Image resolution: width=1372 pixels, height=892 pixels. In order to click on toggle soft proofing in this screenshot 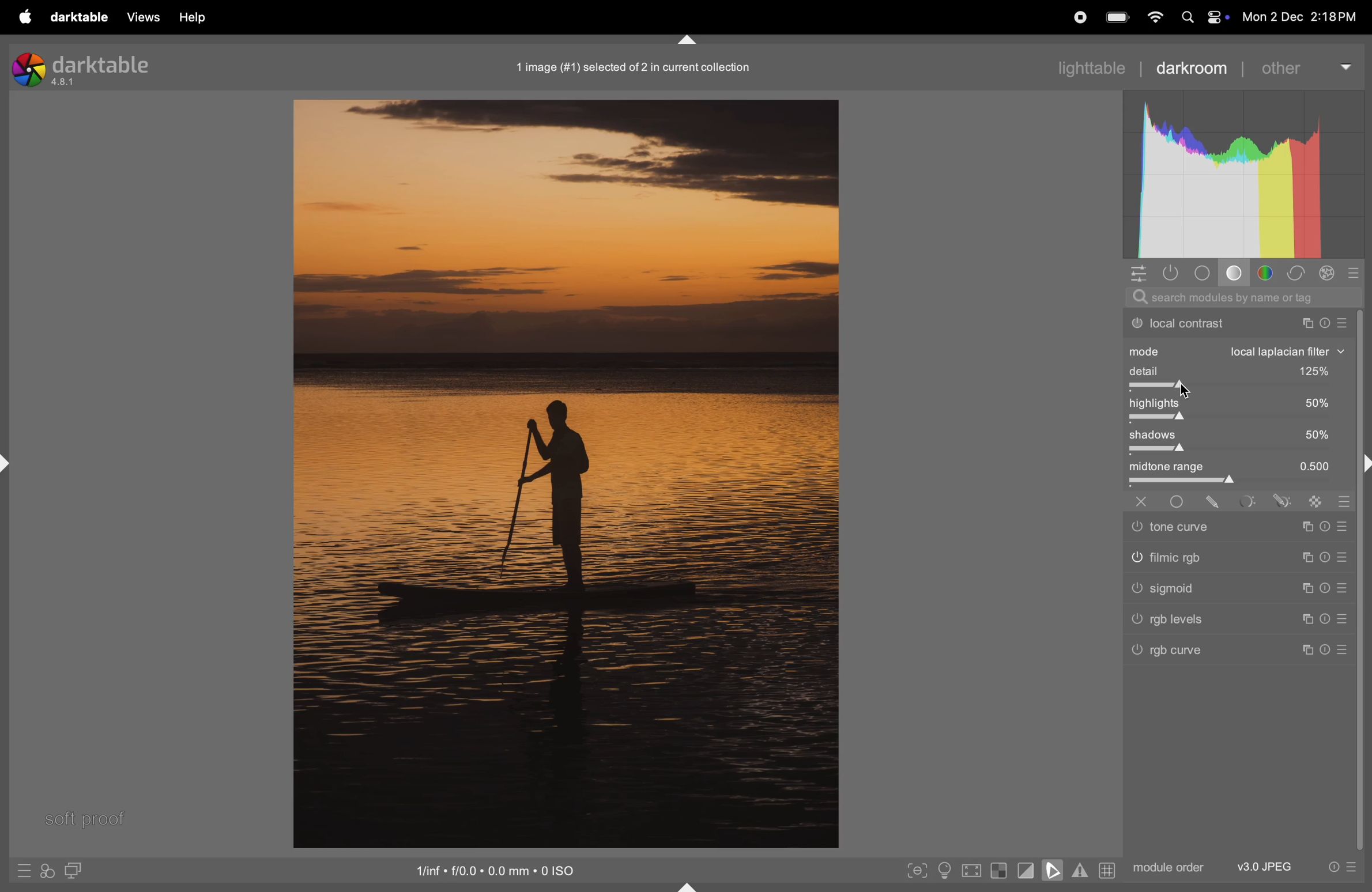, I will do `click(1051, 869)`.